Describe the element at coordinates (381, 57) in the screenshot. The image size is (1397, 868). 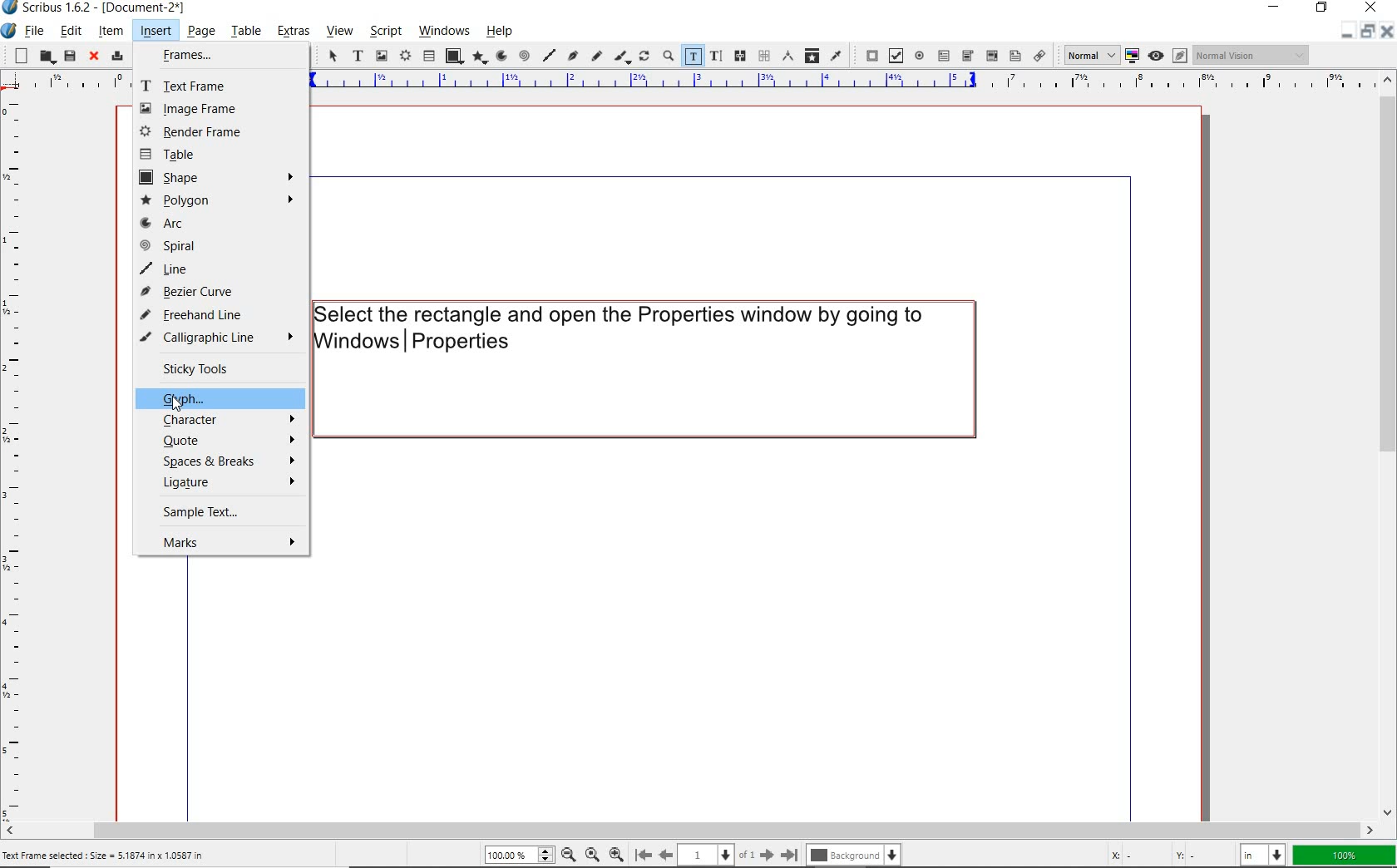
I see `image frame` at that location.